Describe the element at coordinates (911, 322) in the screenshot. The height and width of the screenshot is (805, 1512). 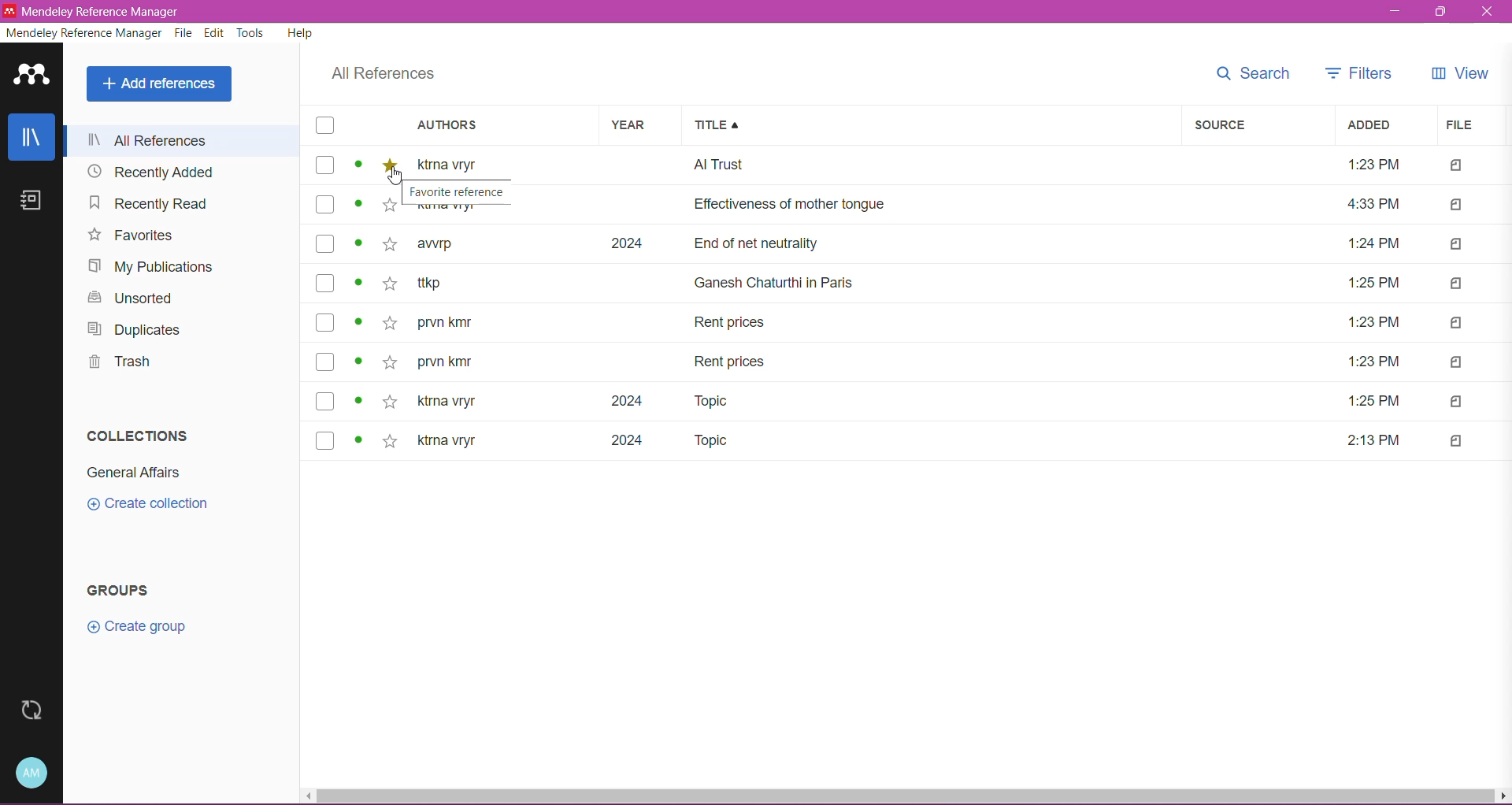
I see `prvn kmr Rent prices 1:23 PM` at that location.